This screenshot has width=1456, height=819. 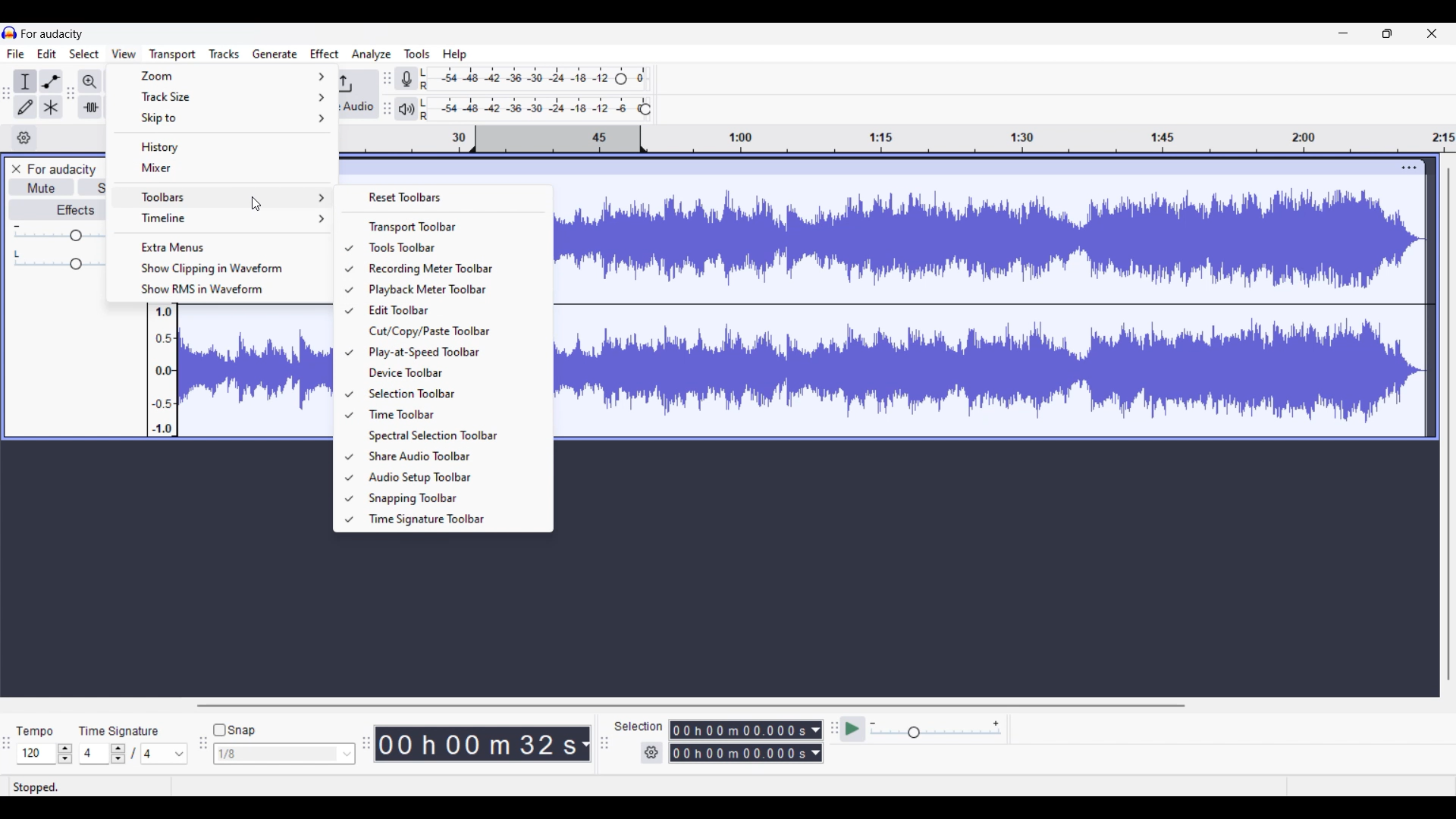 What do you see at coordinates (455, 55) in the screenshot?
I see `Help menu` at bounding box center [455, 55].